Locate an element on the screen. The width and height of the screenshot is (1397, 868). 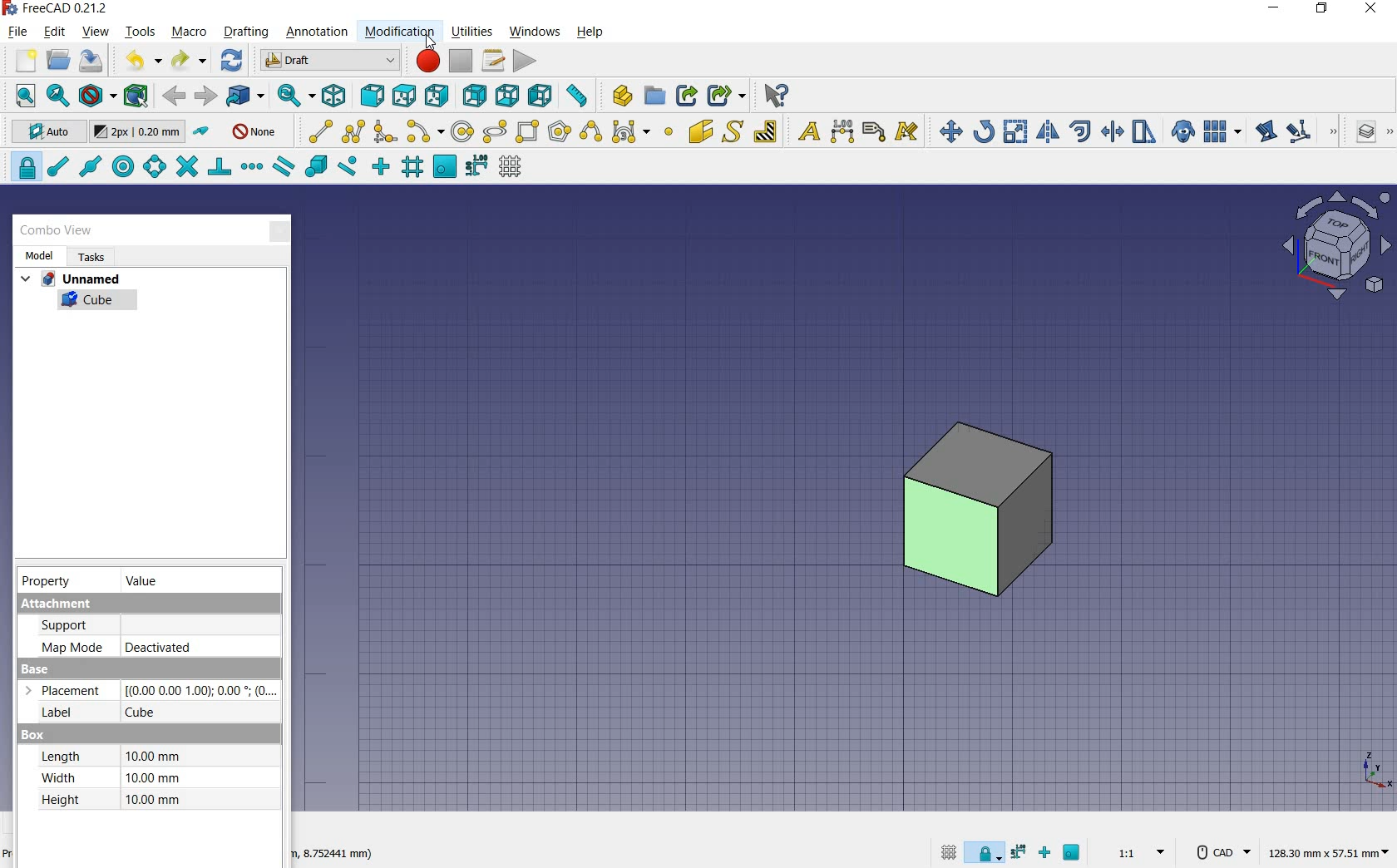
drafting is located at coordinates (246, 32).